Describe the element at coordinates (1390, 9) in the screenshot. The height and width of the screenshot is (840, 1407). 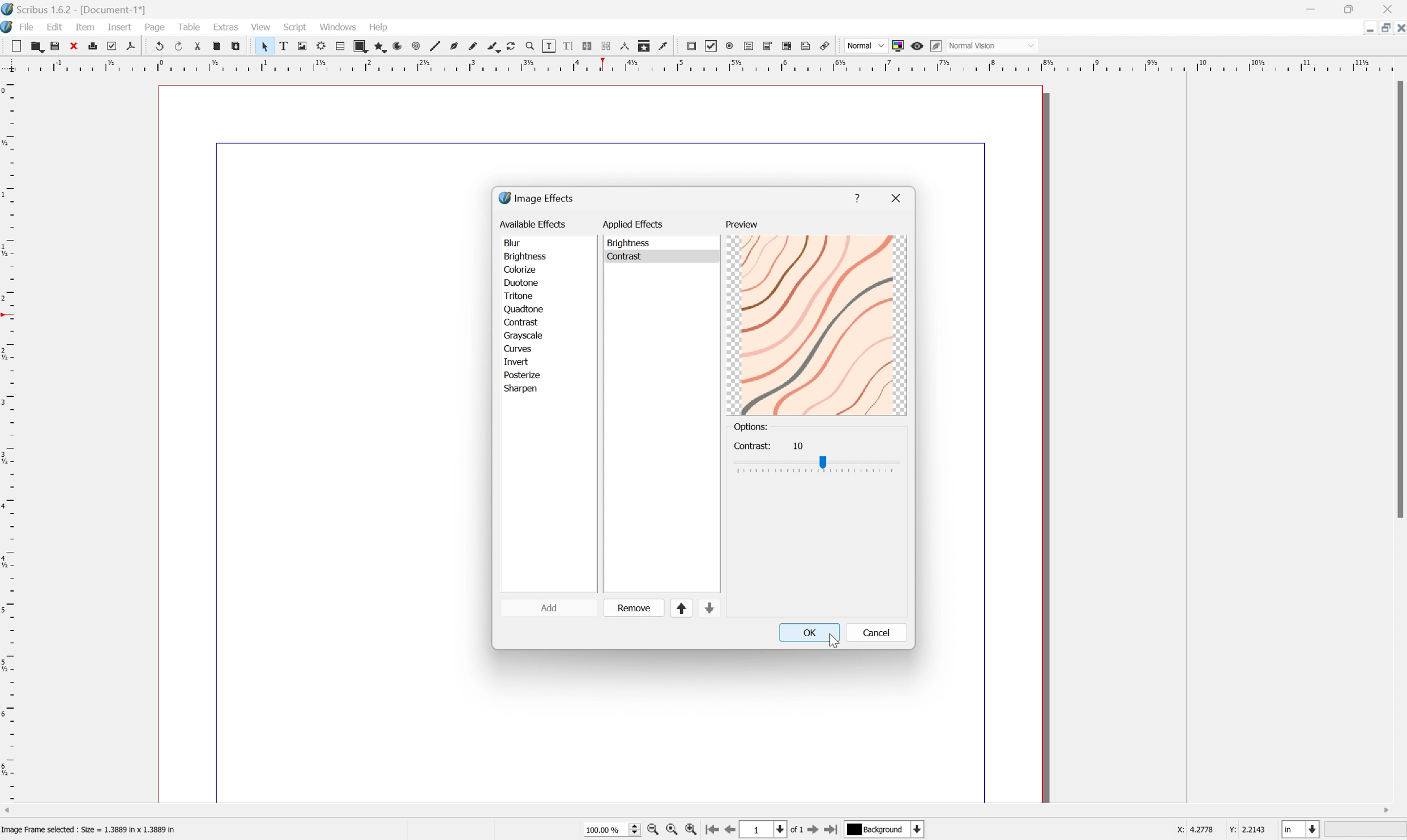
I see `Close` at that location.